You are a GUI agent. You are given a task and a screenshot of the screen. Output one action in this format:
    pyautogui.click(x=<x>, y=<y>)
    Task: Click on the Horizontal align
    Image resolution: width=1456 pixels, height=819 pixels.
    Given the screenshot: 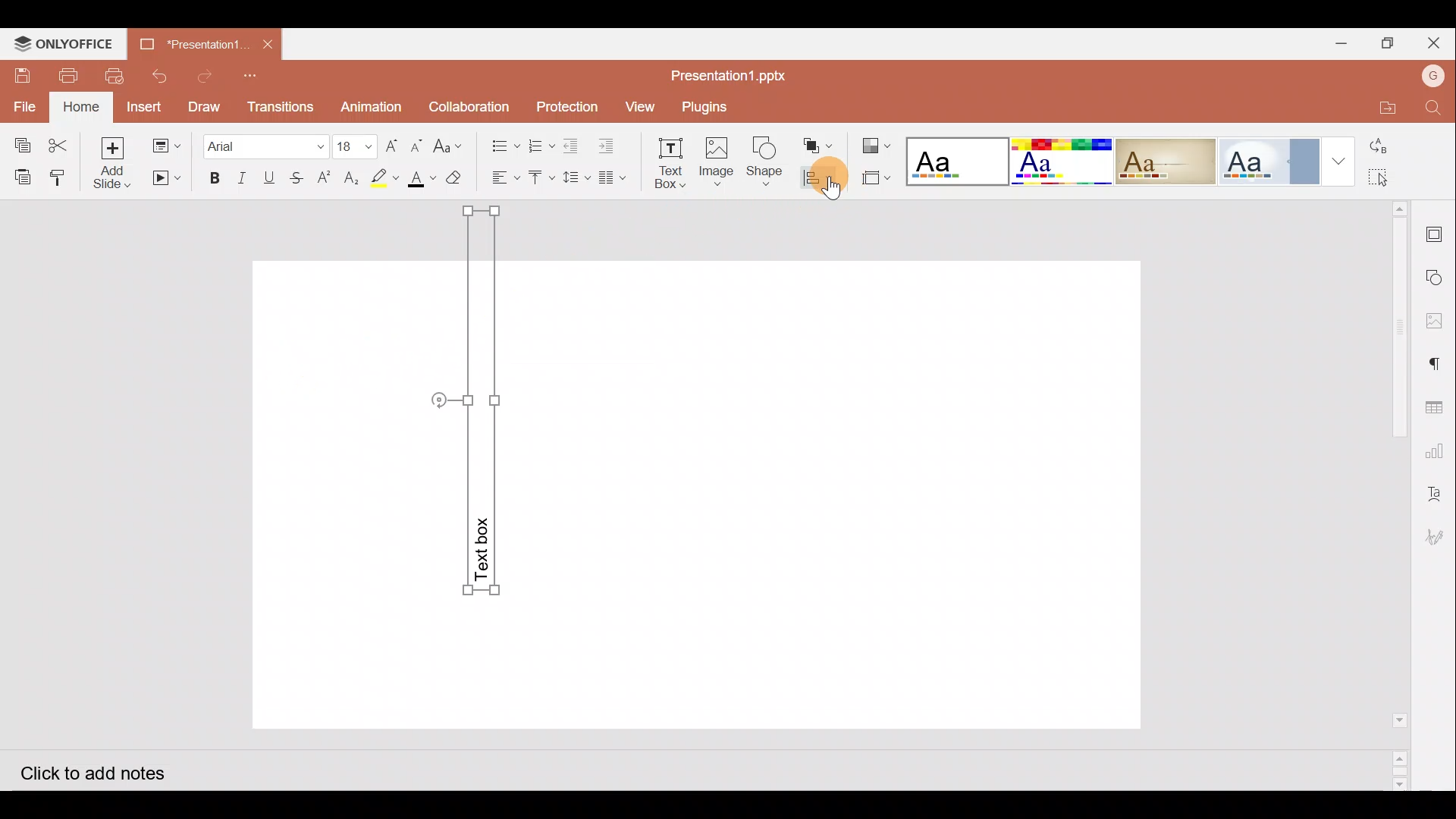 What is the action you would take?
    pyautogui.click(x=504, y=178)
    